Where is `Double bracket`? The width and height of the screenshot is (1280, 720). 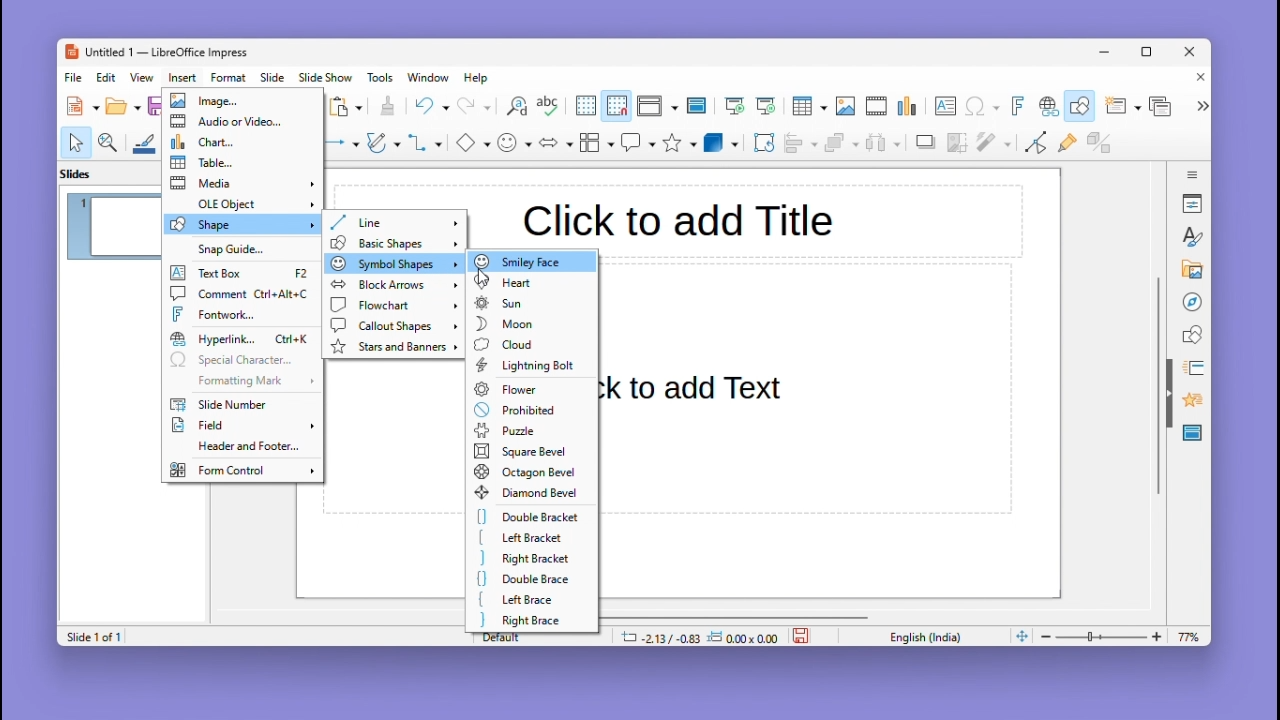
Double bracket is located at coordinates (531, 518).